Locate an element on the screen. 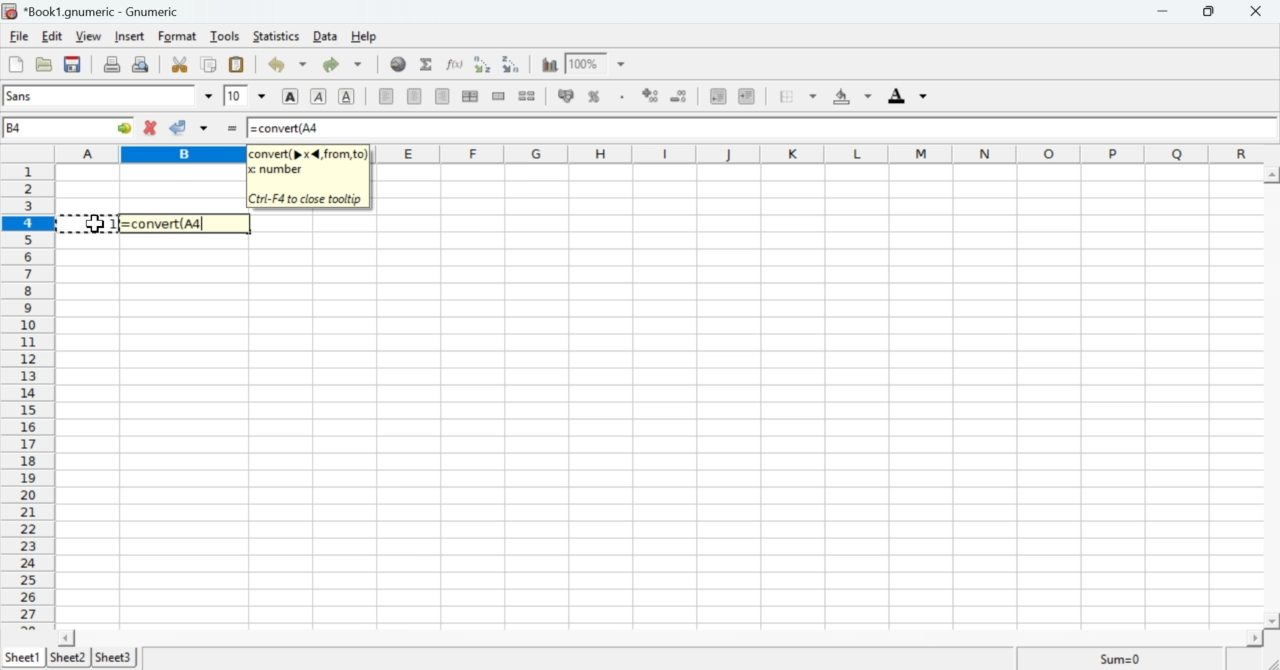 This screenshot has width=1280, height=670. Sum is located at coordinates (1124, 658).